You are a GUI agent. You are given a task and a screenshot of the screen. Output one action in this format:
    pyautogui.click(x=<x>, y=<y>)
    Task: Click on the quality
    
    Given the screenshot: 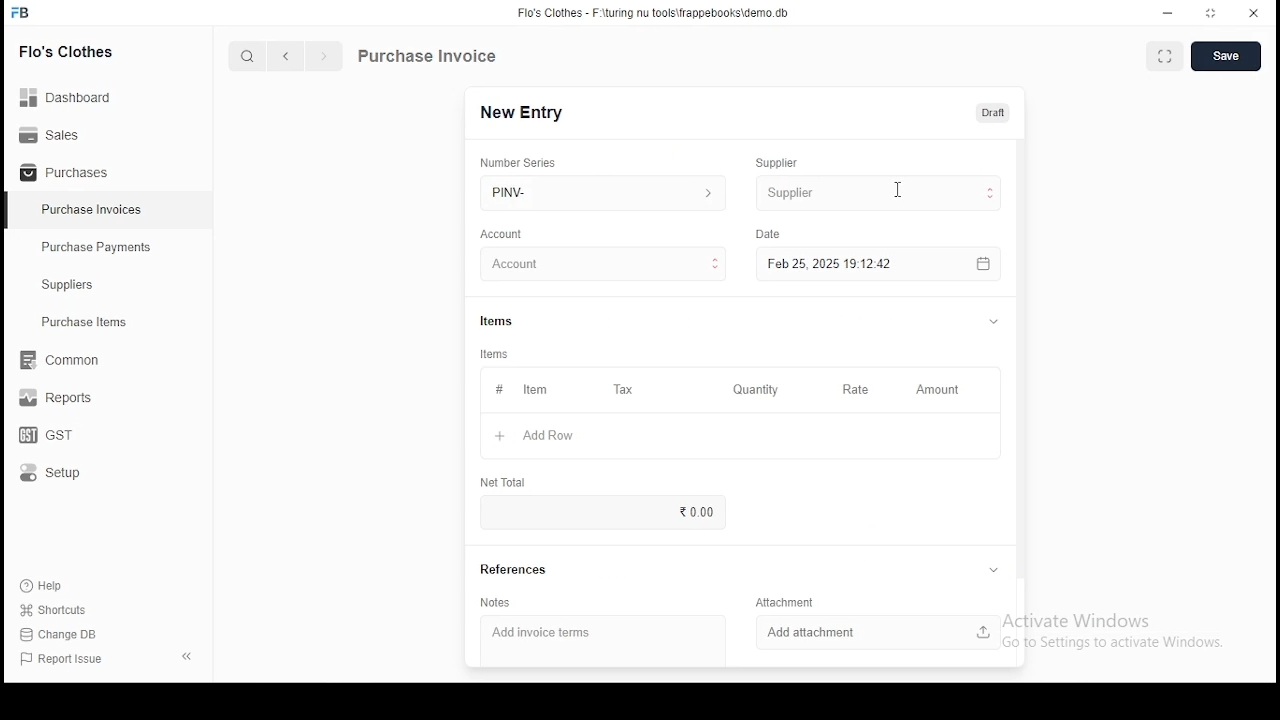 What is the action you would take?
    pyautogui.click(x=756, y=390)
    